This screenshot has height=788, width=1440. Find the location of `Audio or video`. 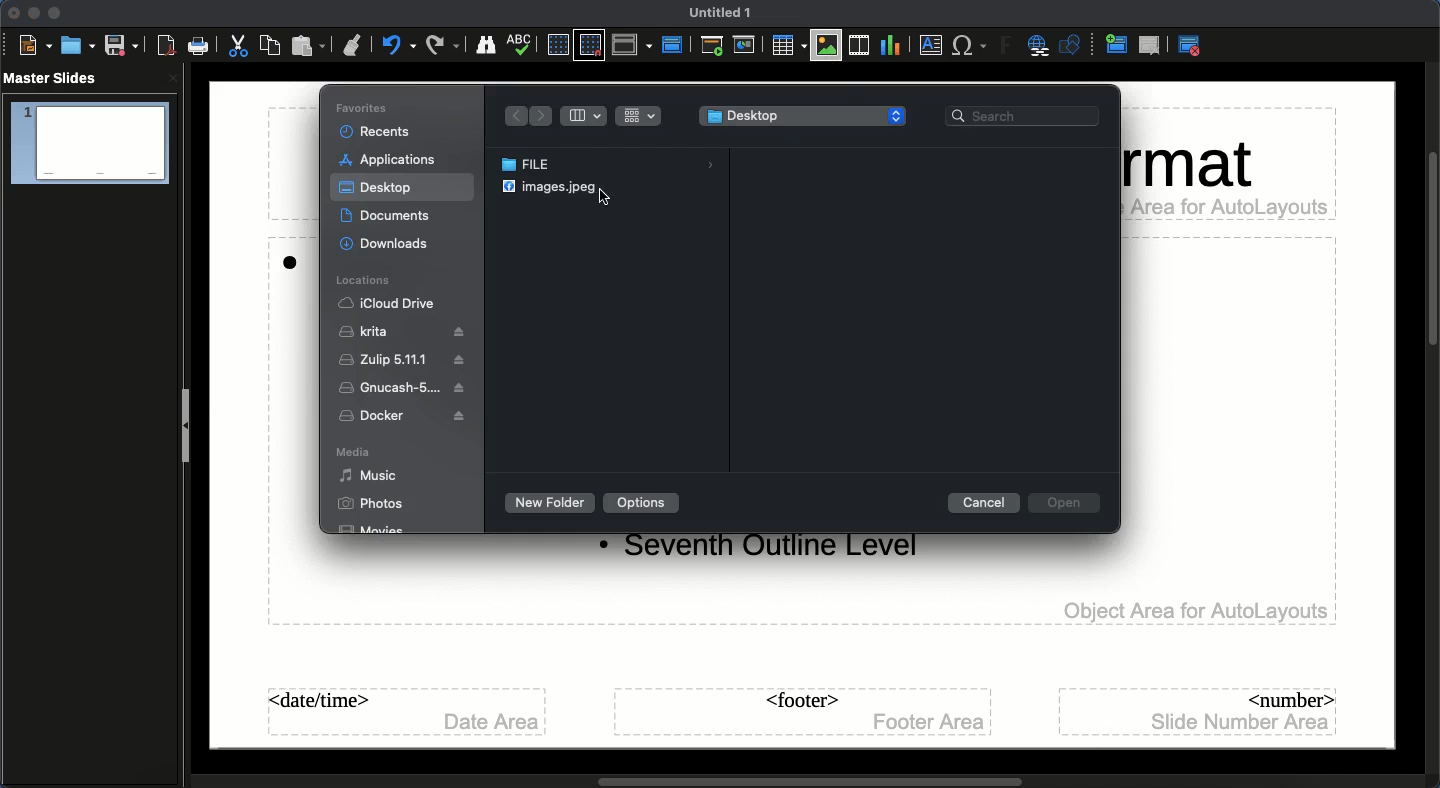

Audio or video is located at coordinates (858, 47).